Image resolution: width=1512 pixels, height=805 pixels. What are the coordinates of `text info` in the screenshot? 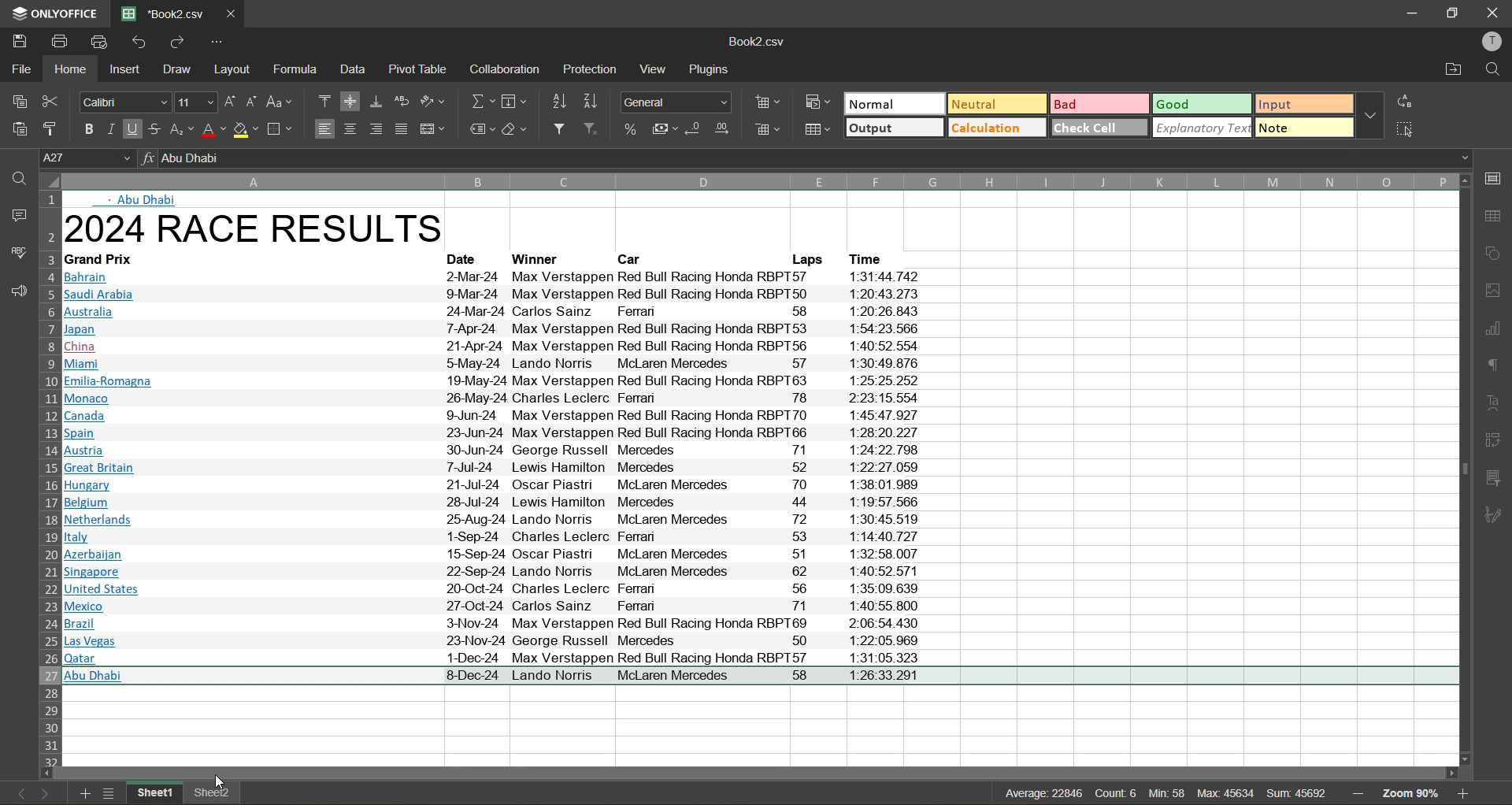 It's located at (498, 520).